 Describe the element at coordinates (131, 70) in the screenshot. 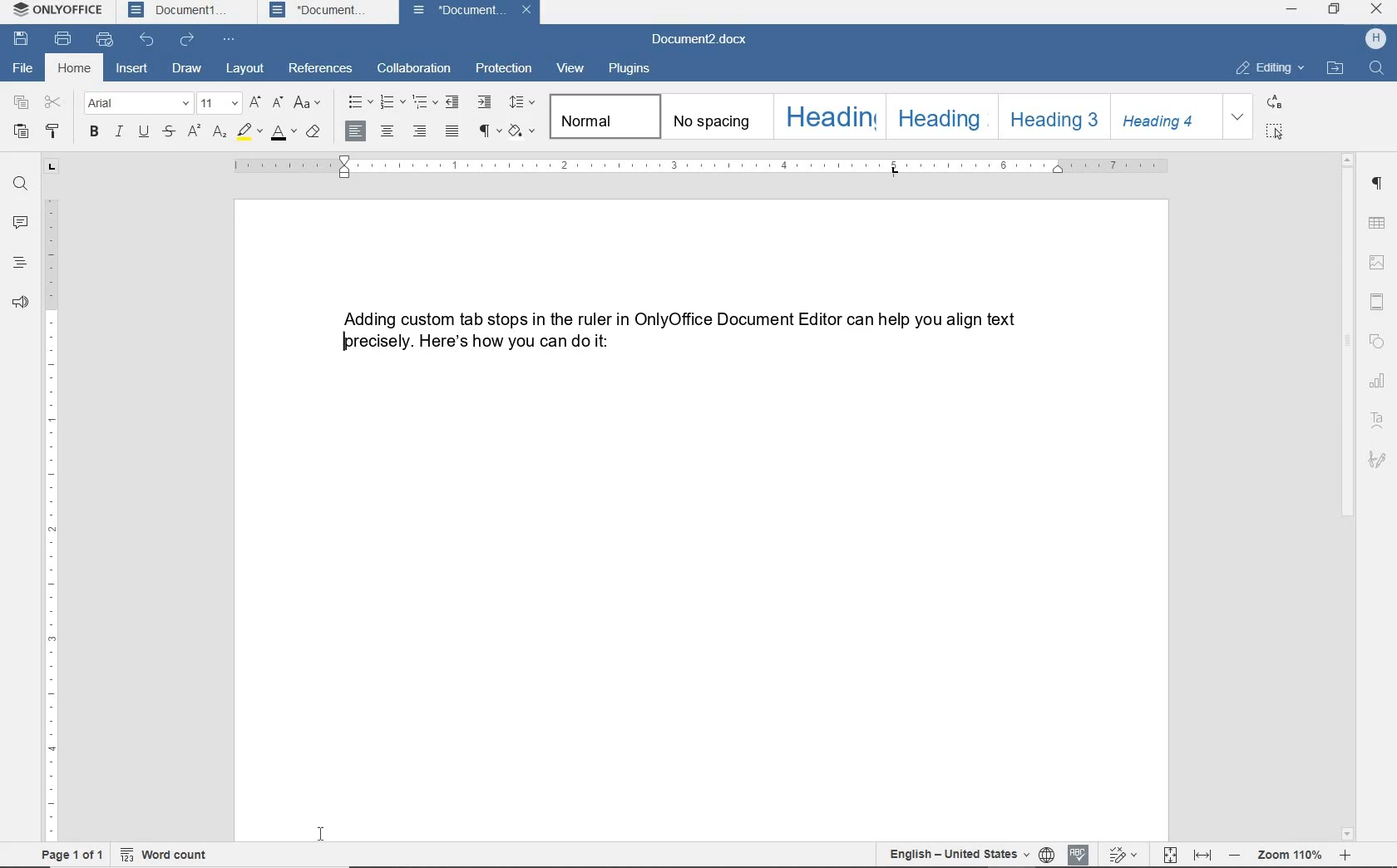

I see `insert` at that location.